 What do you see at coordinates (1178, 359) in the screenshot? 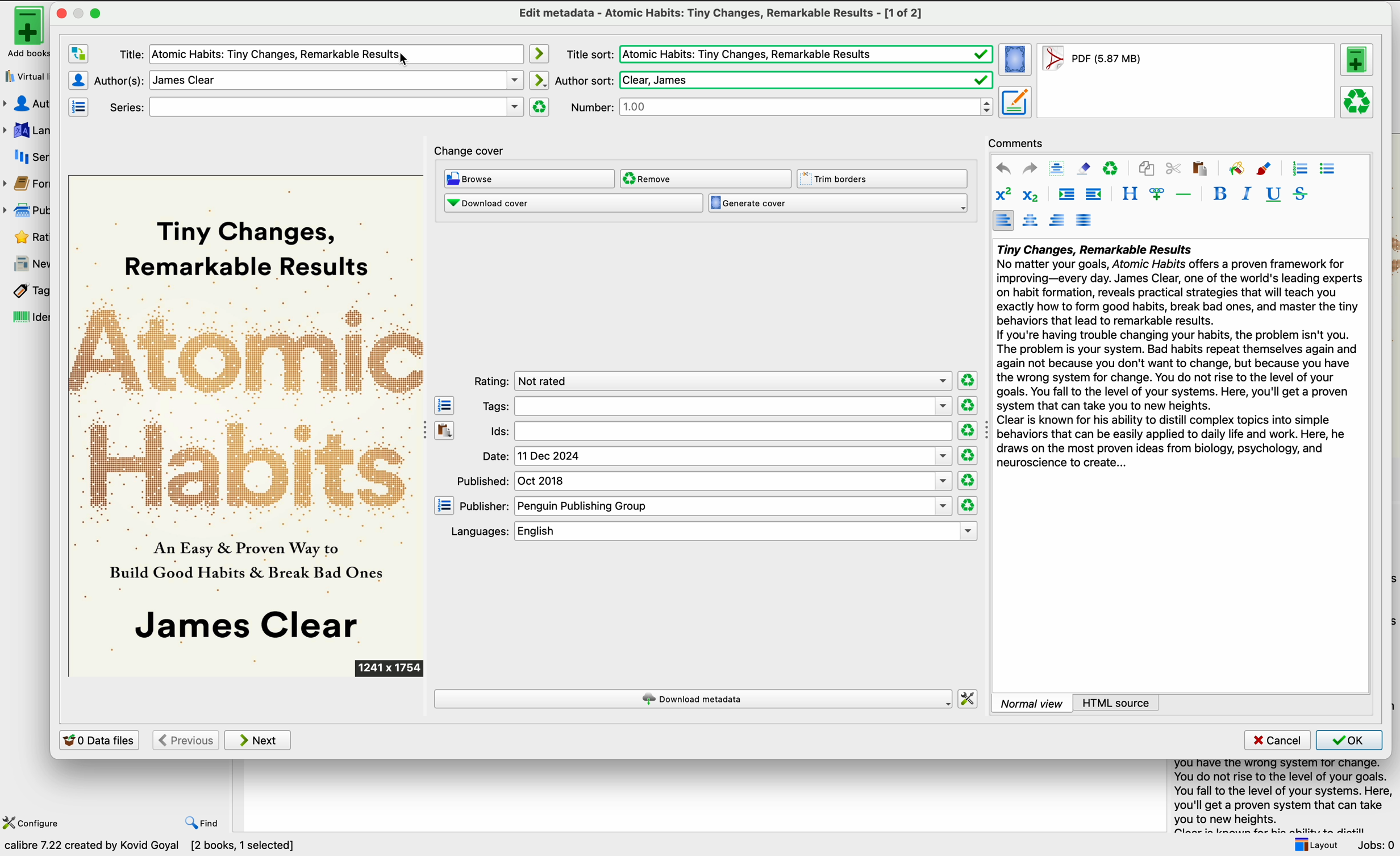
I see `summary` at bounding box center [1178, 359].